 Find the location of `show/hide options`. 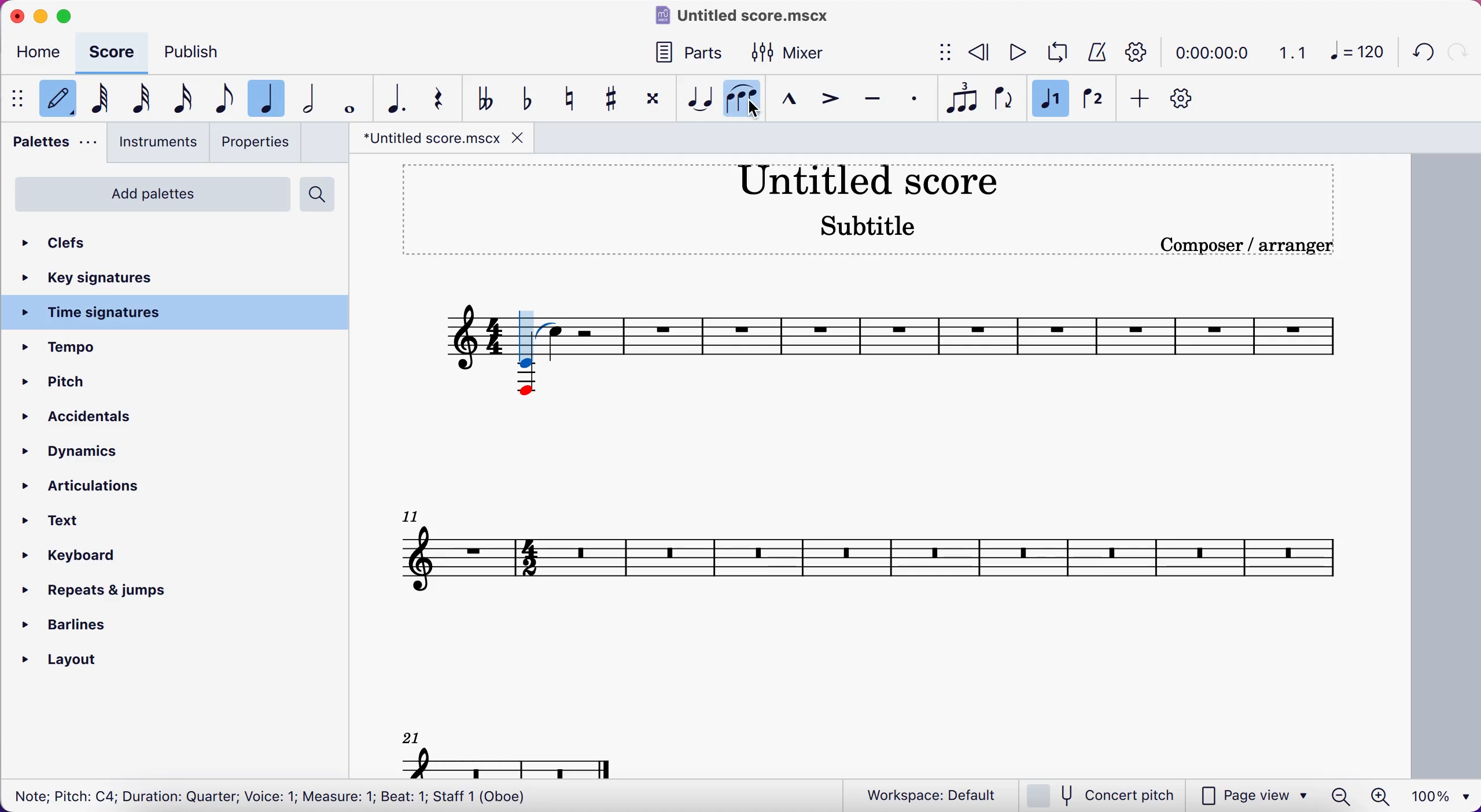

show/hide options is located at coordinates (934, 54).